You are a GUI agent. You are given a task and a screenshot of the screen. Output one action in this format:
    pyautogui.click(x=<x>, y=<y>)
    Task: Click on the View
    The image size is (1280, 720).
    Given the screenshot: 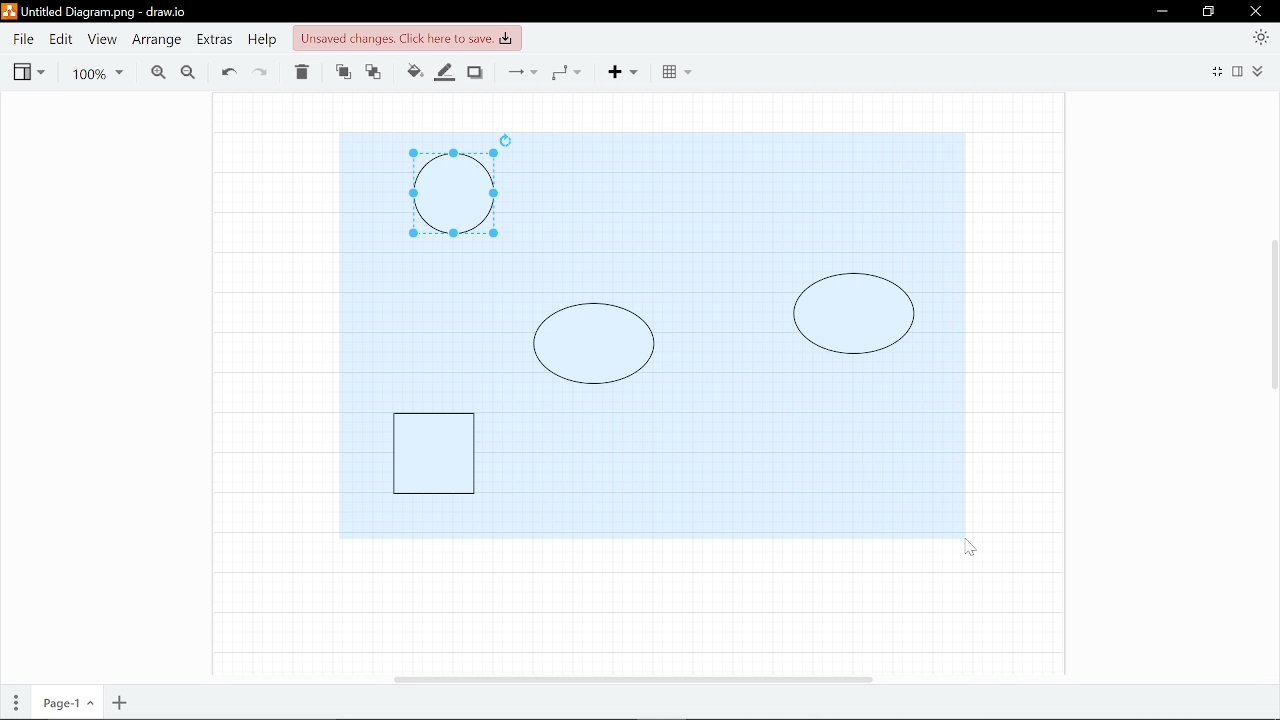 What is the action you would take?
    pyautogui.click(x=100, y=39)
    